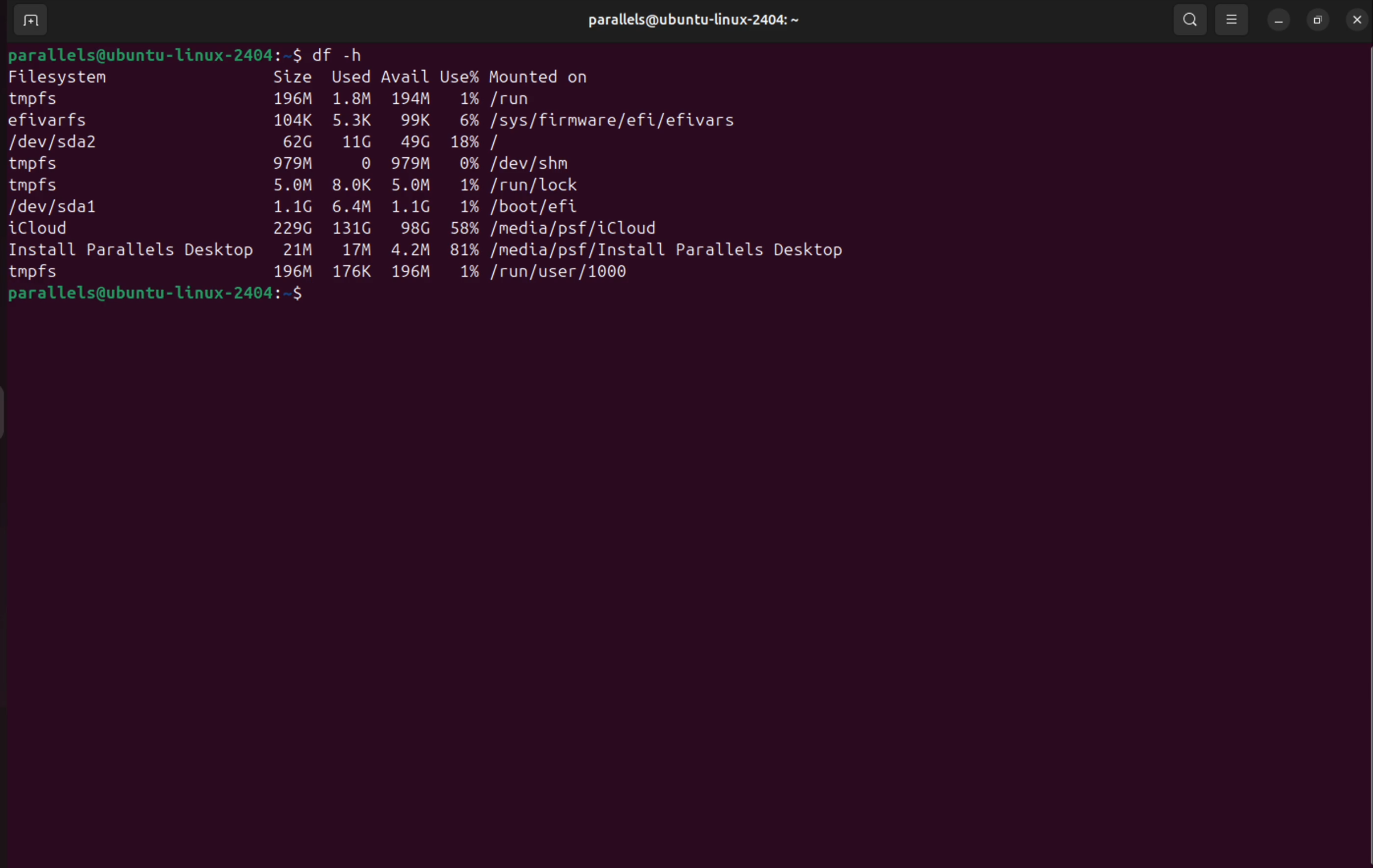 The image size is (1373, 868). I want to click on 21 M, so click(300, 251).